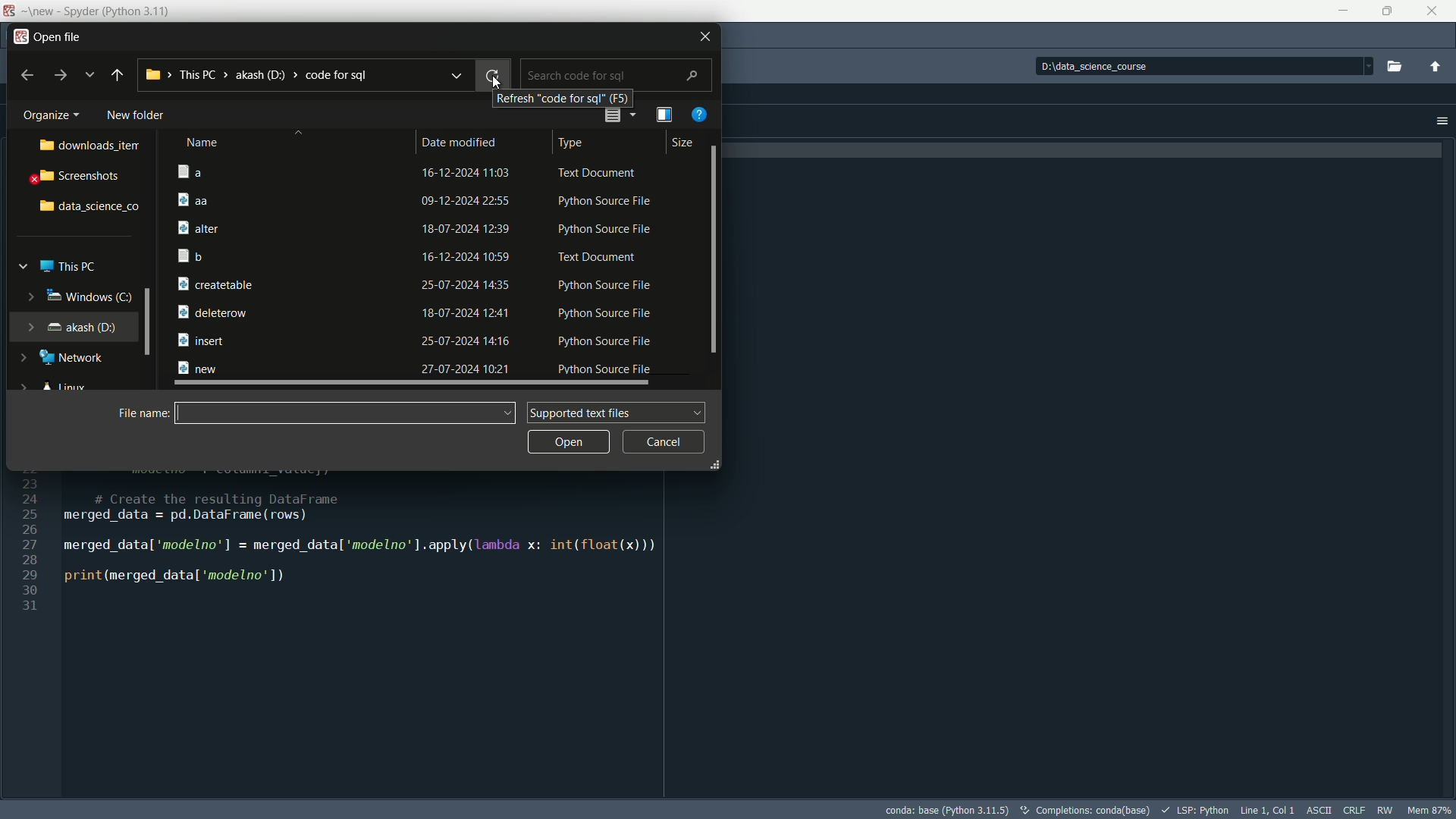  What do you see at coordinates (615, 415) in the screenshot?
I see `supported text files` at bounding box center [615, 415].